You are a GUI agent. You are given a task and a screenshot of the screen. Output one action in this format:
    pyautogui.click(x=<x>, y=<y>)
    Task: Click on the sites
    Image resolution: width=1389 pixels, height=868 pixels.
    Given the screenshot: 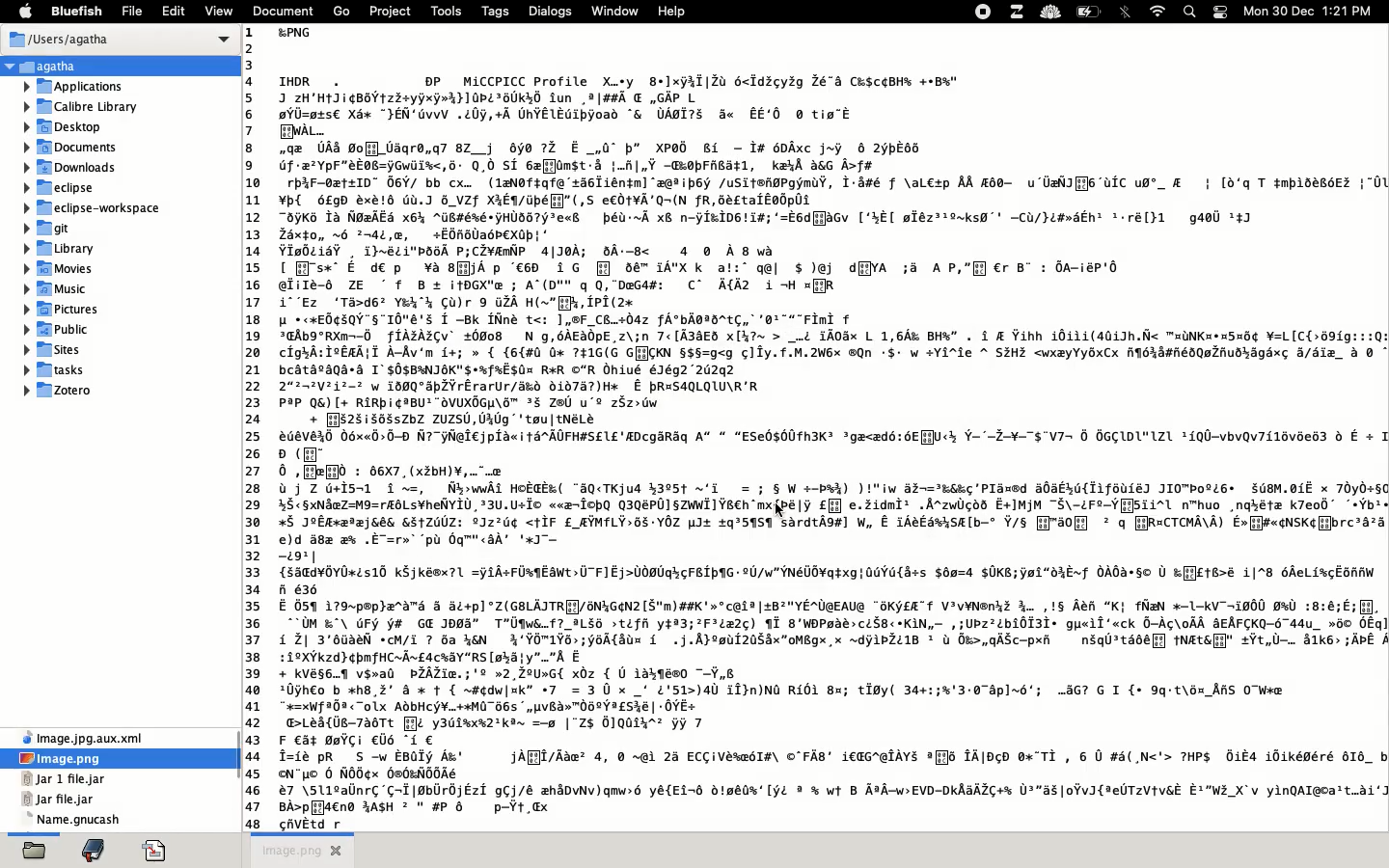 What is the action you would take?
    pyautogui.click(x=54, y=350)
    